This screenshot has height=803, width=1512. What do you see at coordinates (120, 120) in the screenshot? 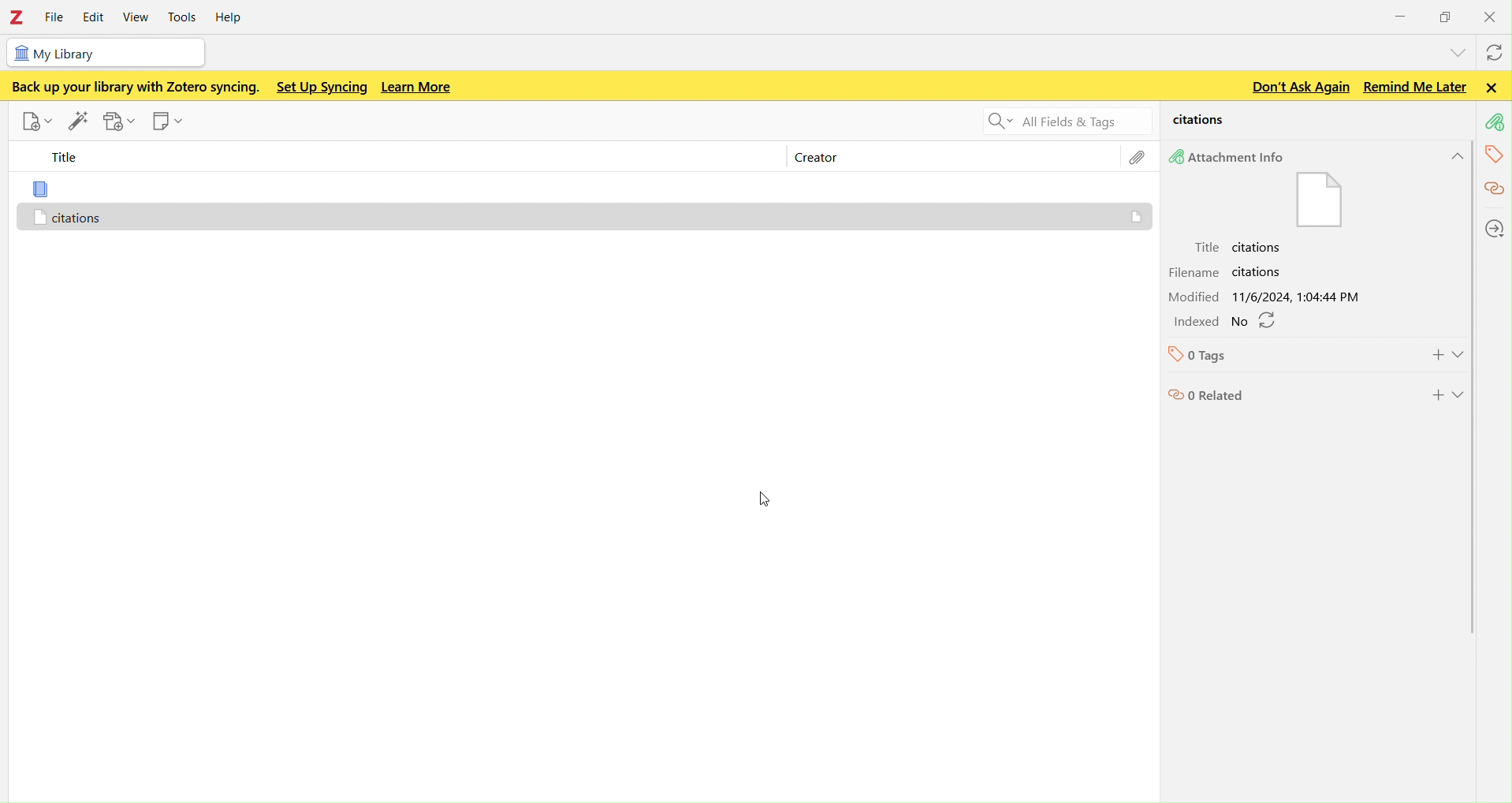
I see `add attachments` at bounding box center [120, 120].